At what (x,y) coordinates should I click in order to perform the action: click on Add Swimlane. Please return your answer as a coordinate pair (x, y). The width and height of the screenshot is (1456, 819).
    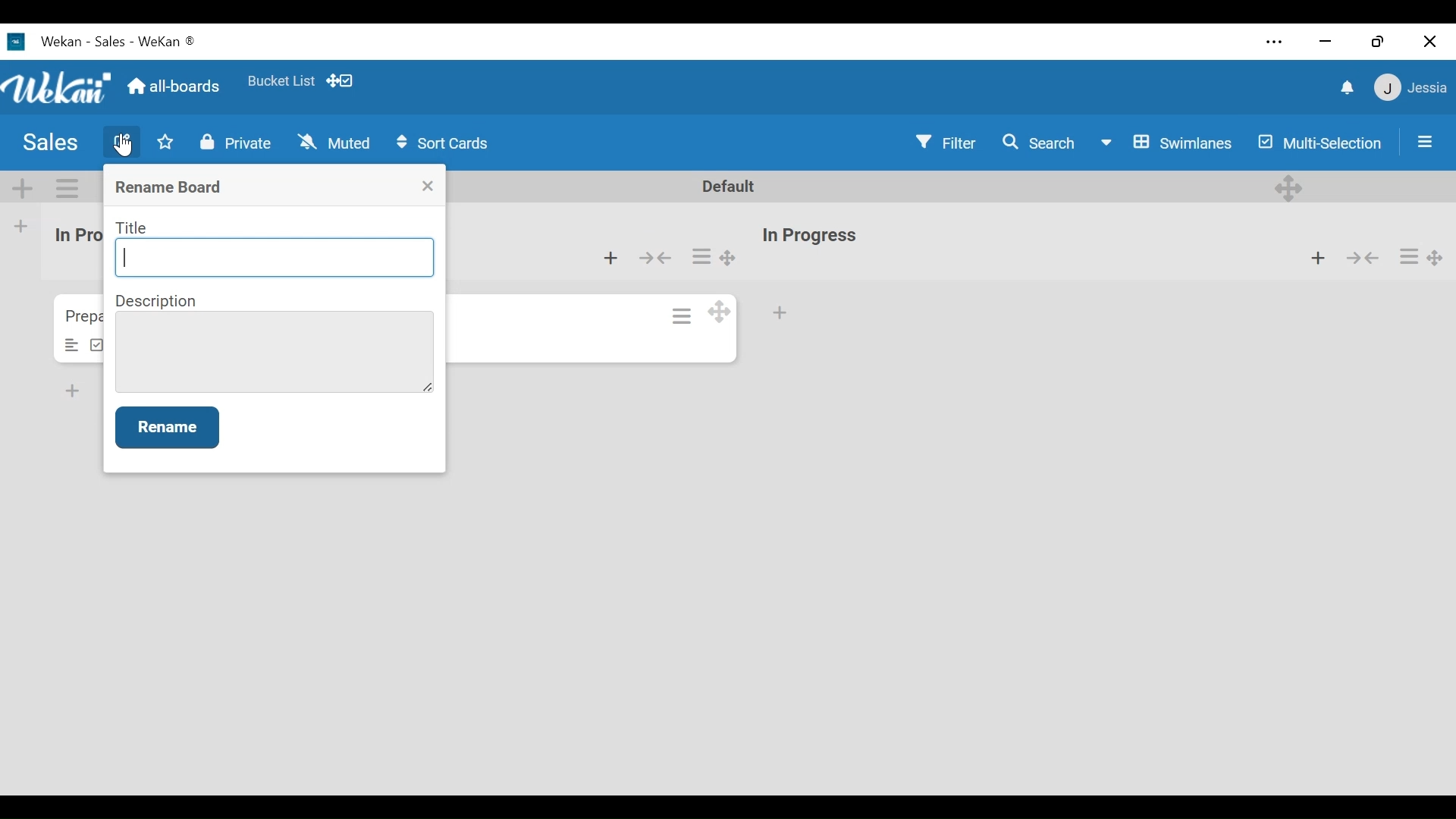
    Looking at the image, I should click on (20, 187).